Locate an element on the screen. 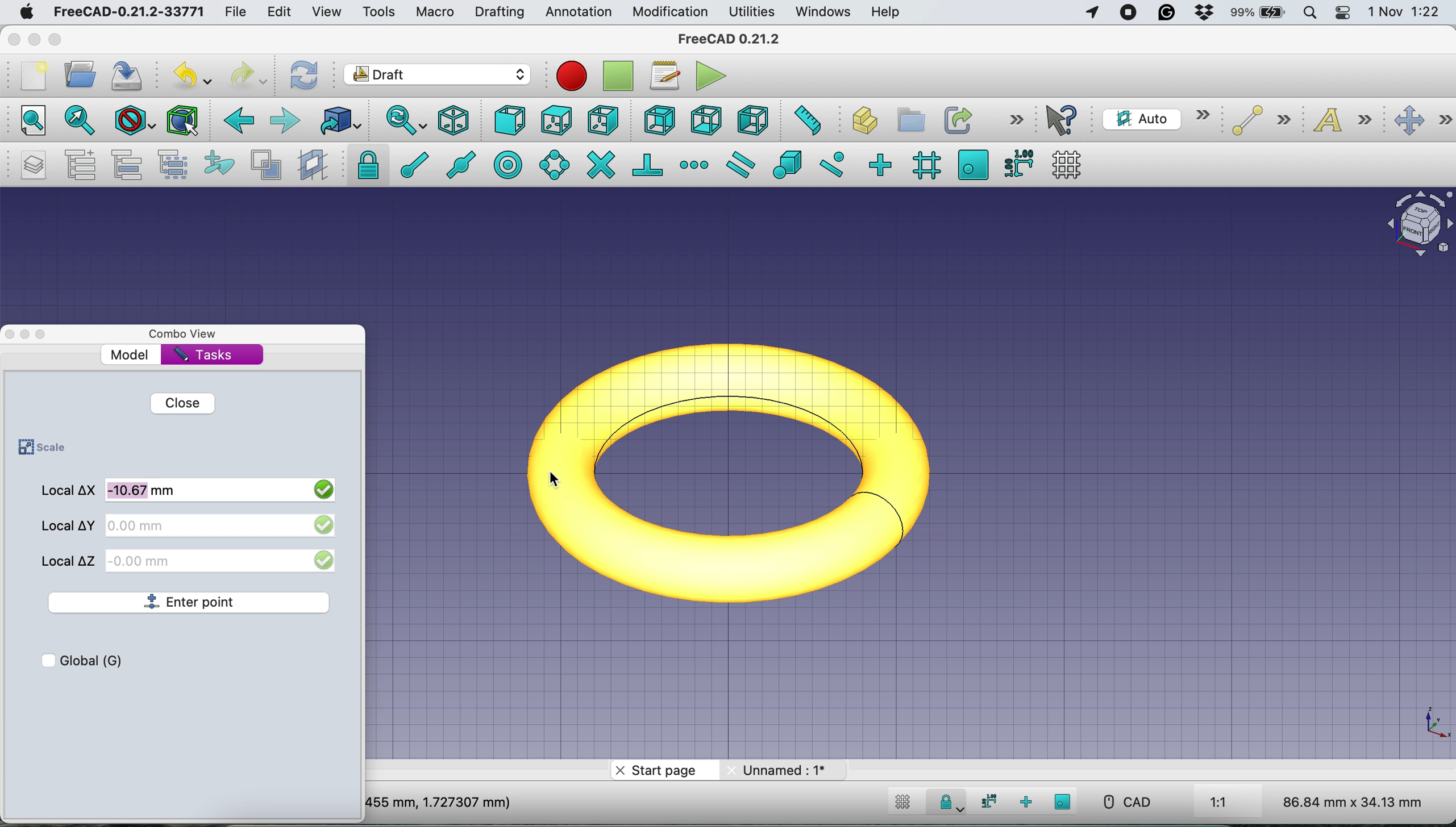 This screenshot has height=827, width=1456. local ΔZ is located at coordinates (70, 559).